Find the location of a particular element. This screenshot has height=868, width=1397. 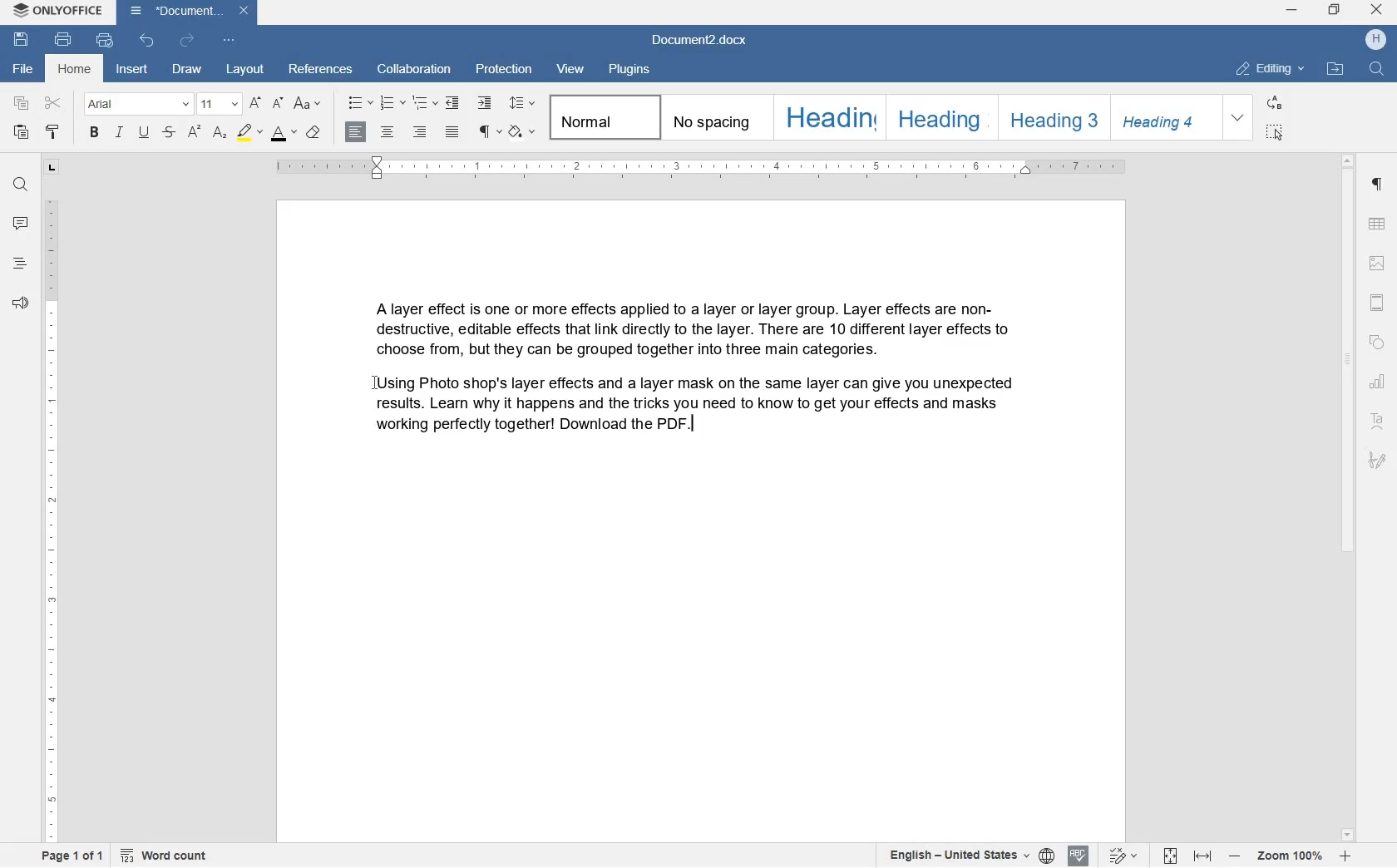

WORD COUNT is located at coordinates (165, 856).